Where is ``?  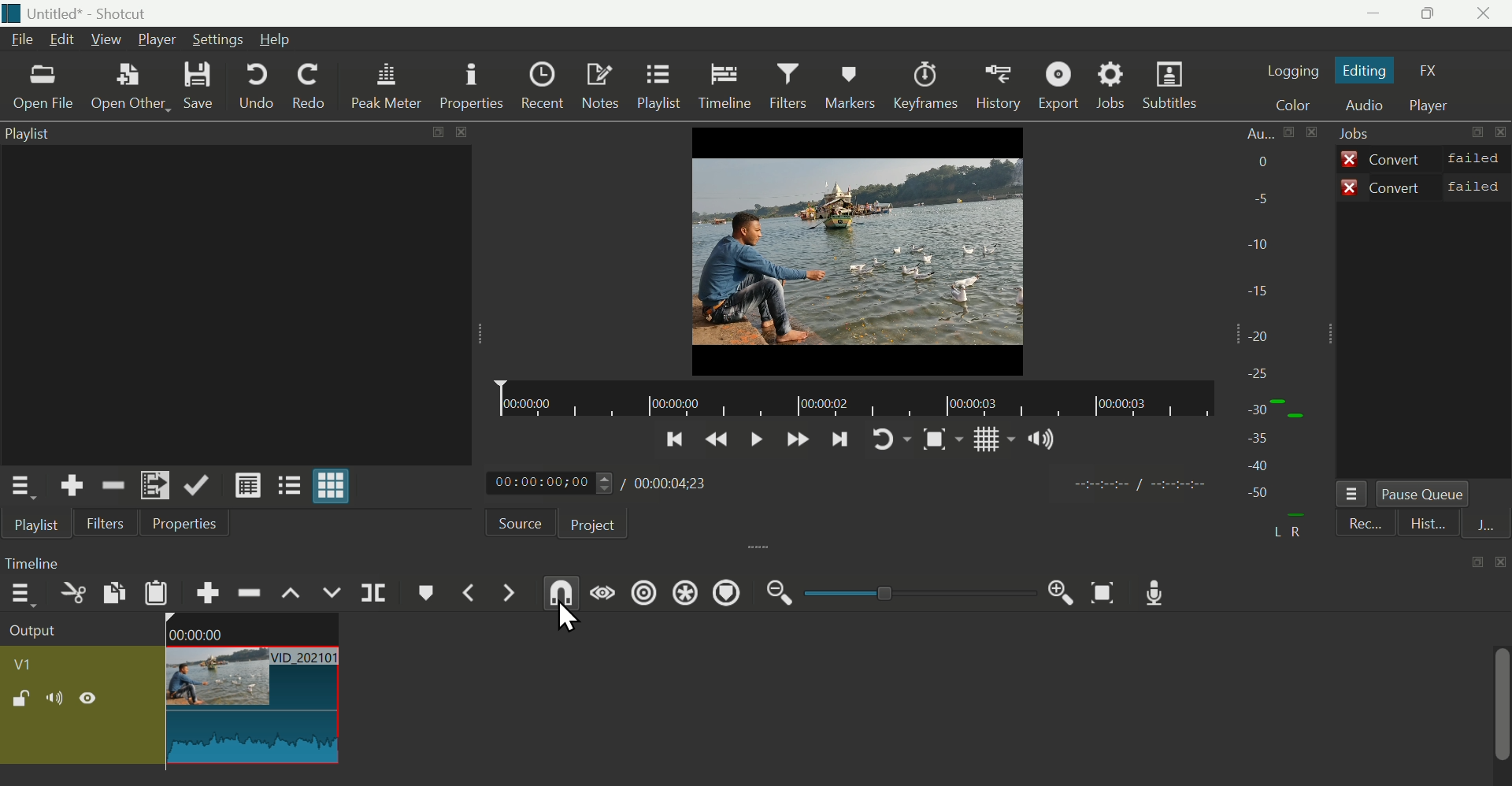  is located at coordinates (1158, 593).